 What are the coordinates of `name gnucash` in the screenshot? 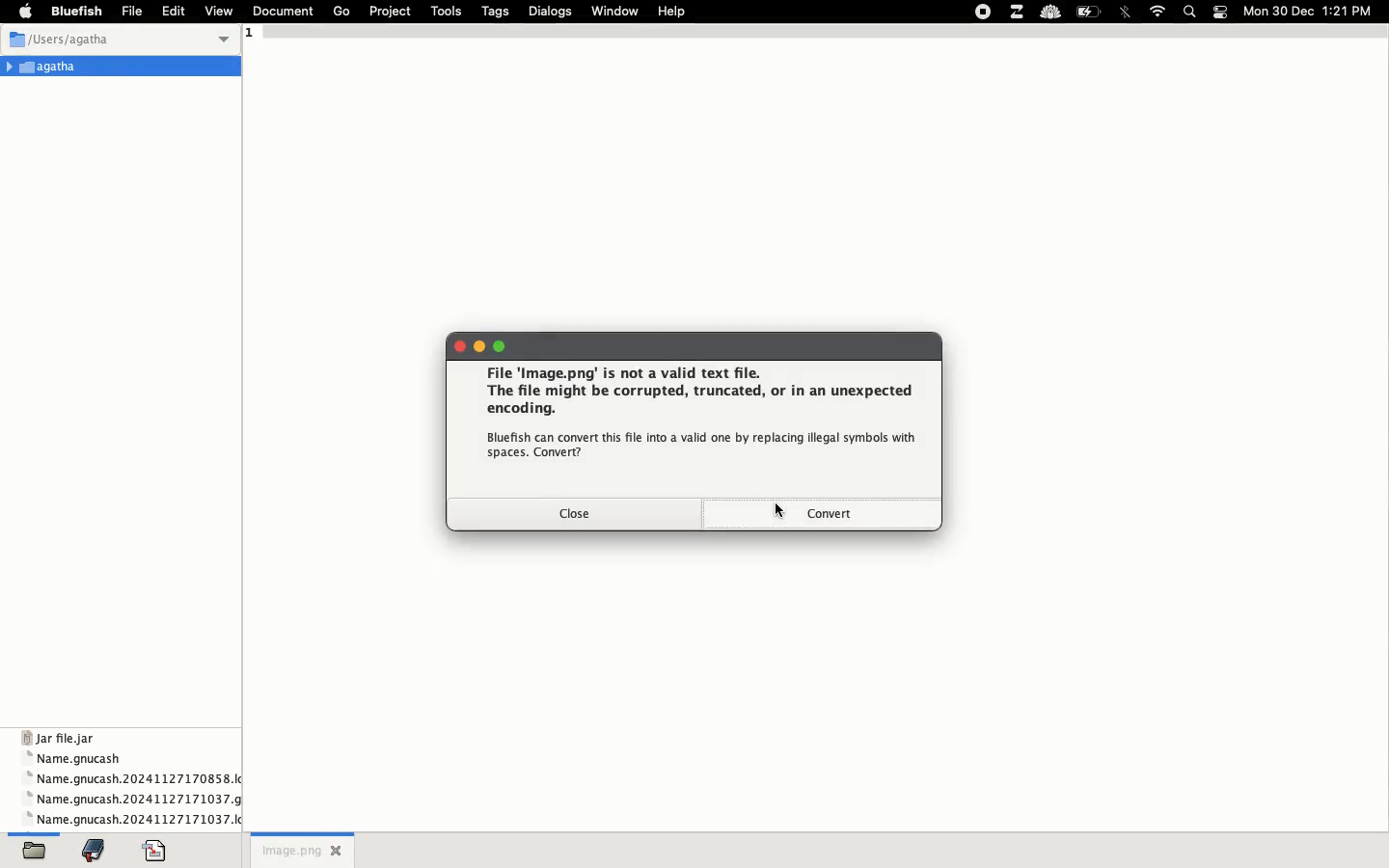 It's located at (134, 799).